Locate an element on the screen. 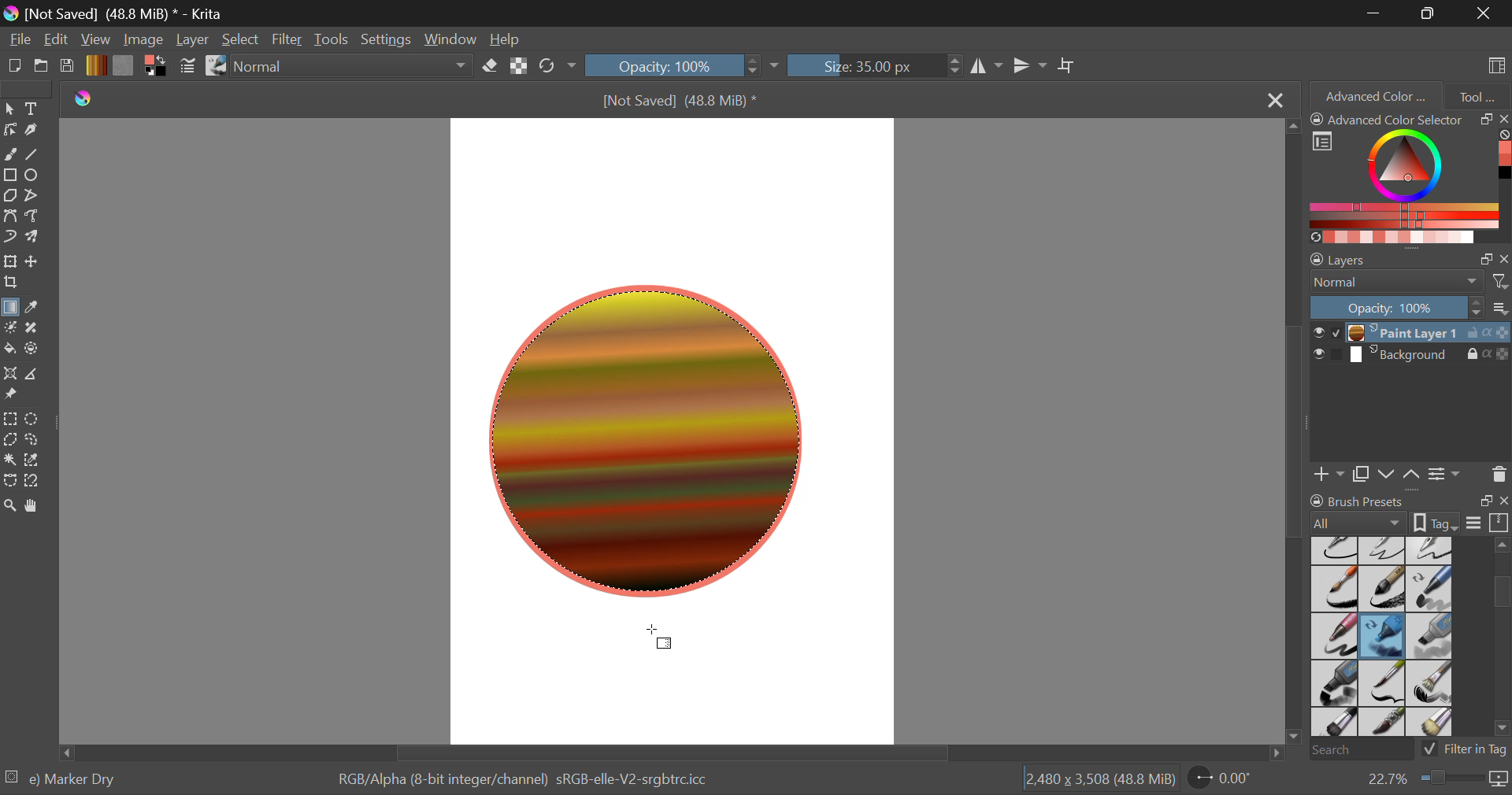 The height and width of the screenshot is (795, 1512). Choose Workspace is located at coordinates (1494, 64).